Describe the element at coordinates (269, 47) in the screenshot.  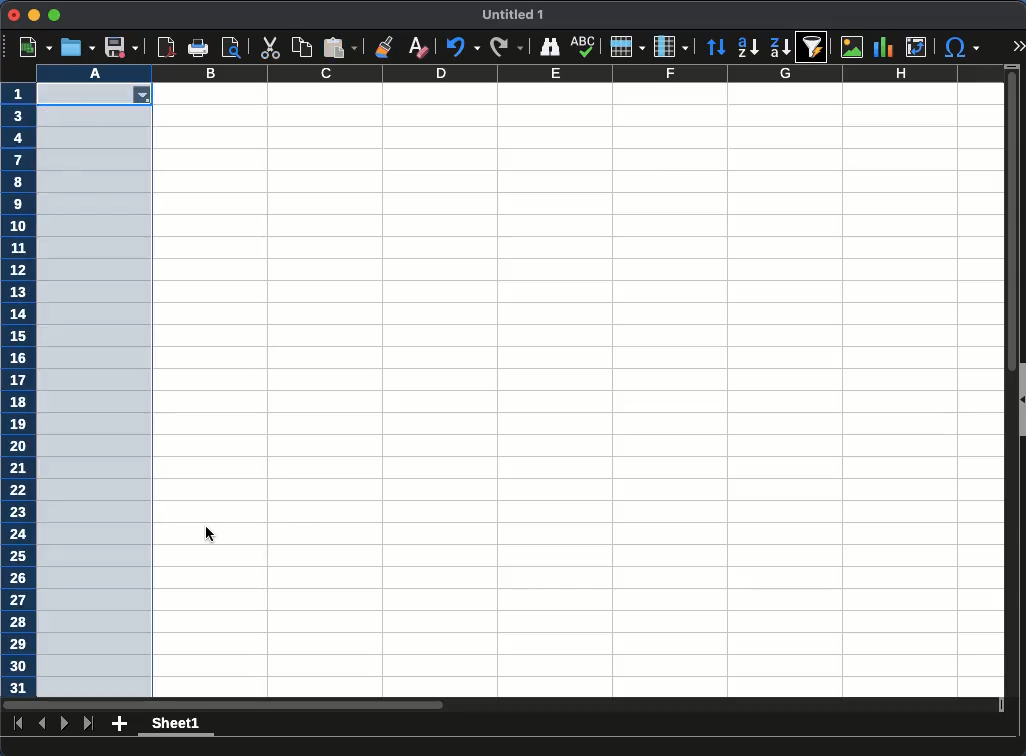
I see `cut` at that location.